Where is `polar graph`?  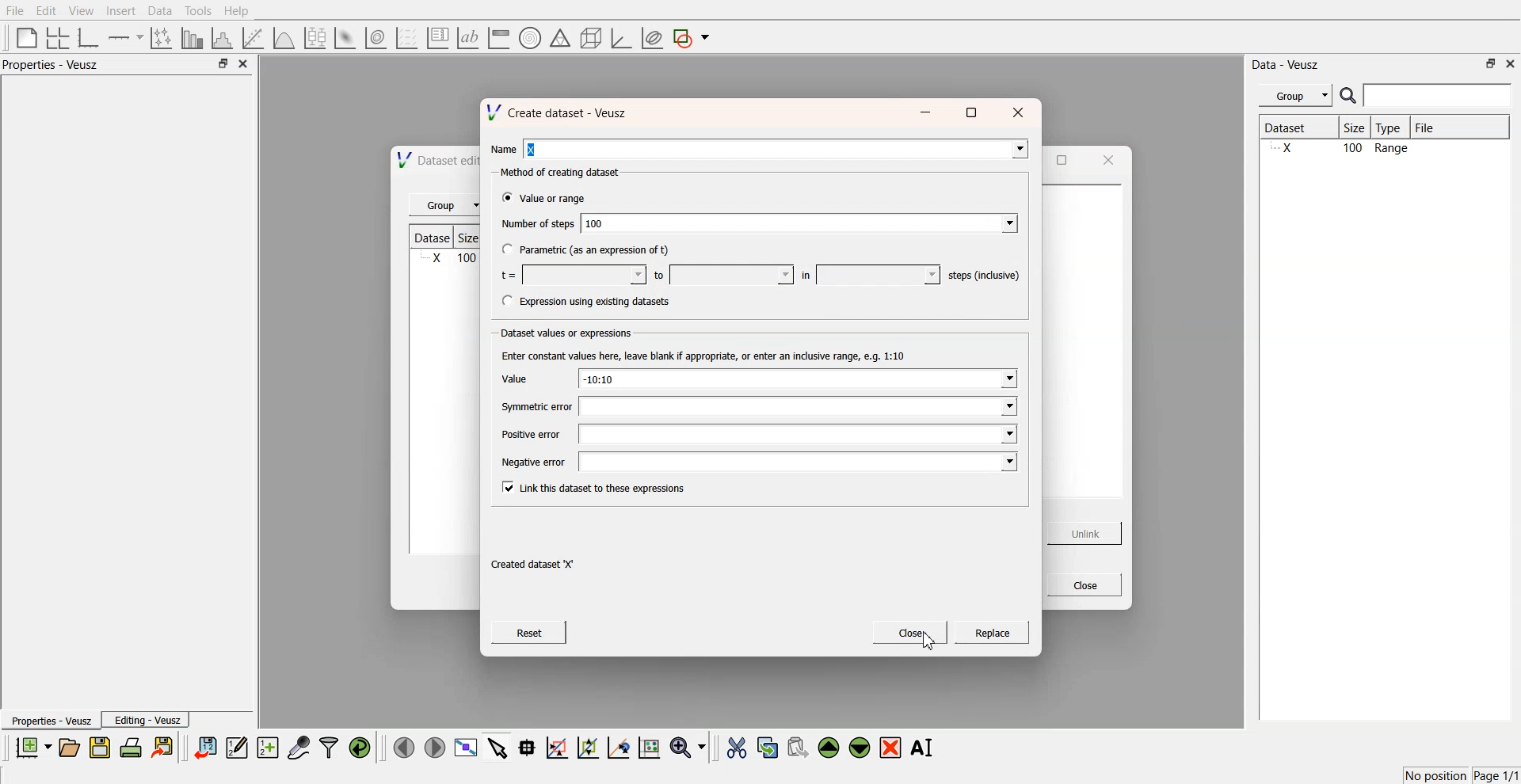
polar graph is located at coordinates (529, 40).